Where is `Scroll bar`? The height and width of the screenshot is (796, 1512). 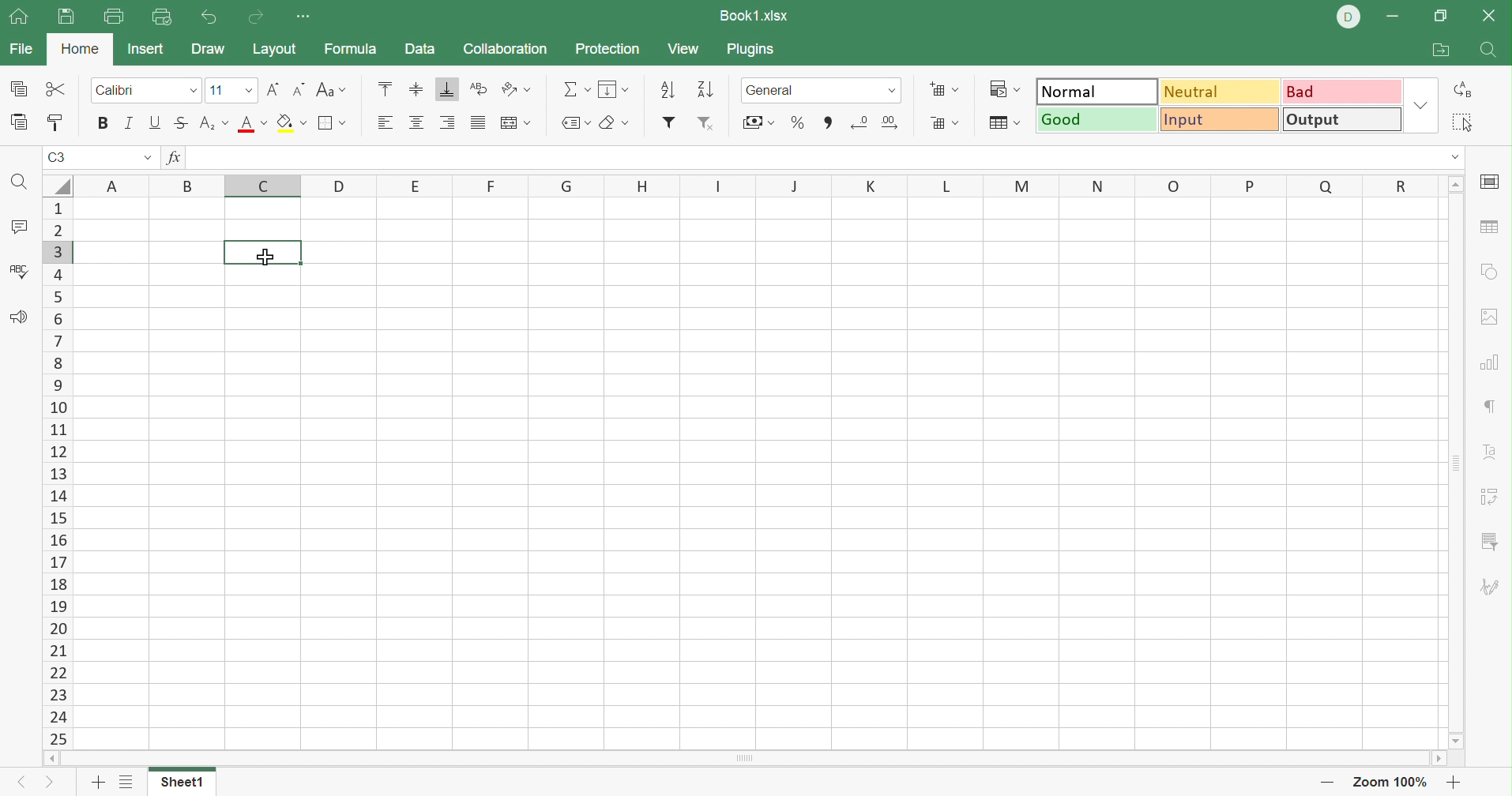 Scroll bar is located at coordinates (744, 758).